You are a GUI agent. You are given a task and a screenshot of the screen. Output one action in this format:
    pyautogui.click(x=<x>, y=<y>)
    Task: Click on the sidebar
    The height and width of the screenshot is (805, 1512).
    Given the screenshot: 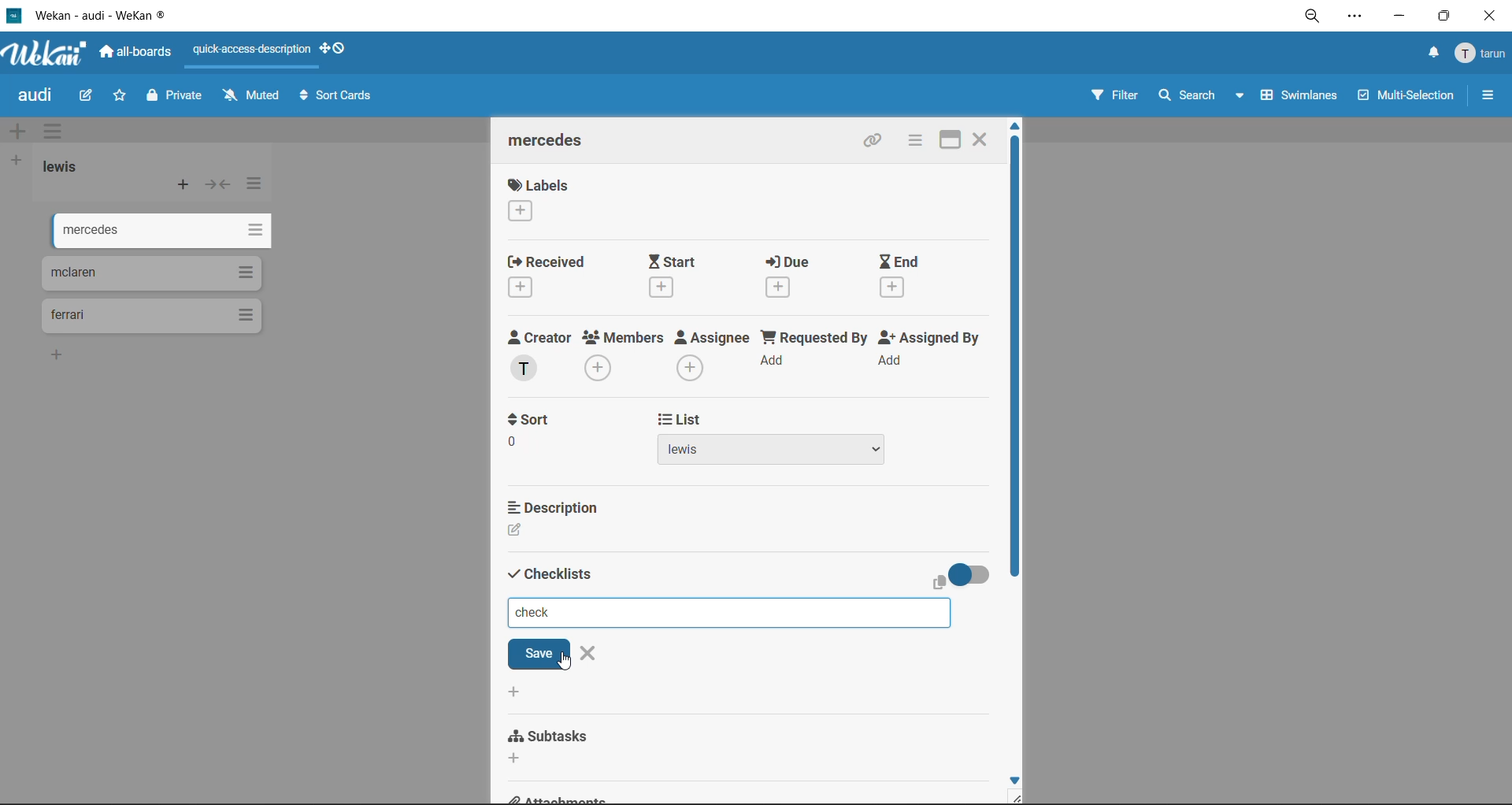 What is the action you would take?
    pyautogui.click(x=1488, y=95)
    